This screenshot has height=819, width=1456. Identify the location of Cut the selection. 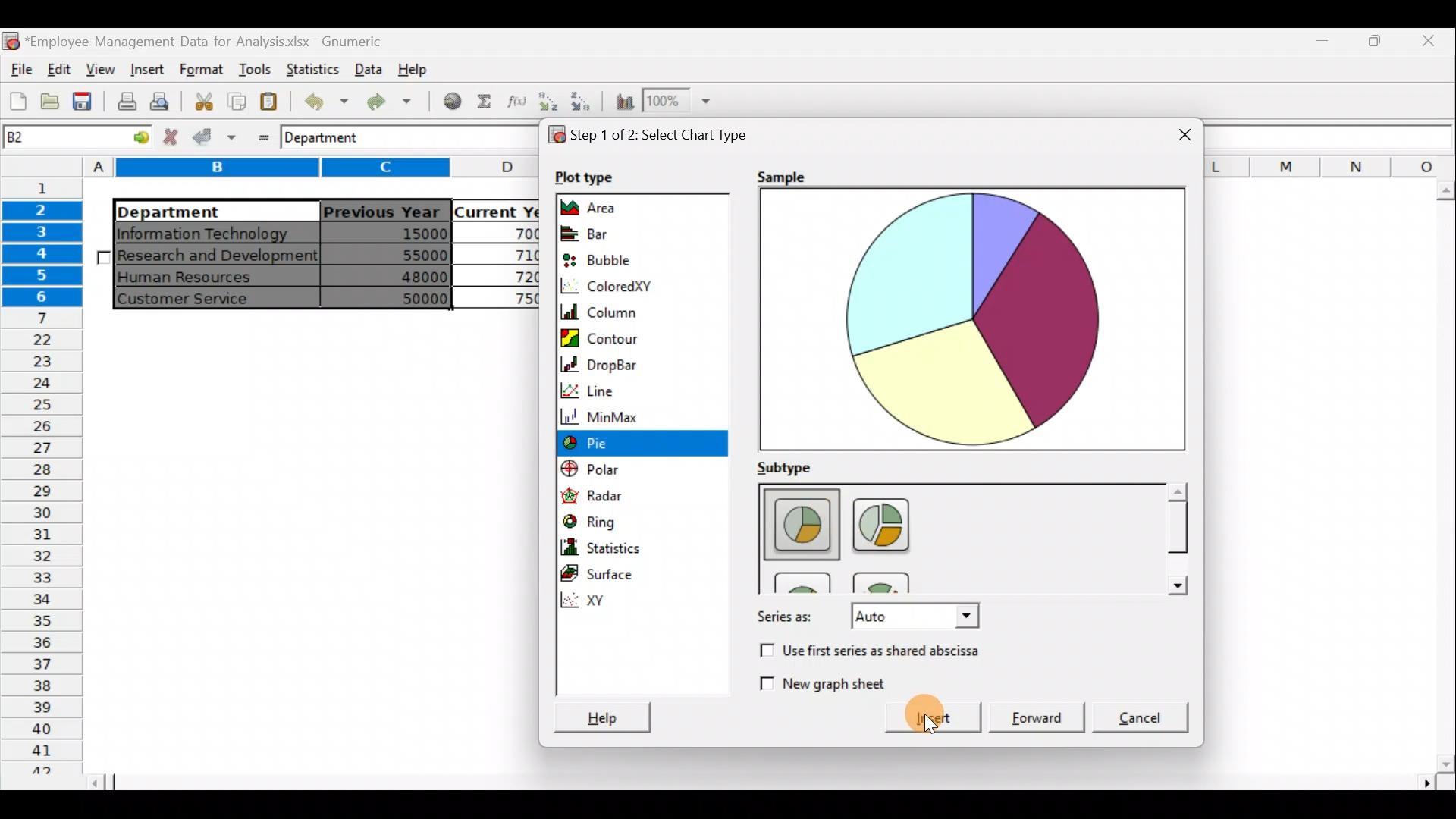
(203, 99).